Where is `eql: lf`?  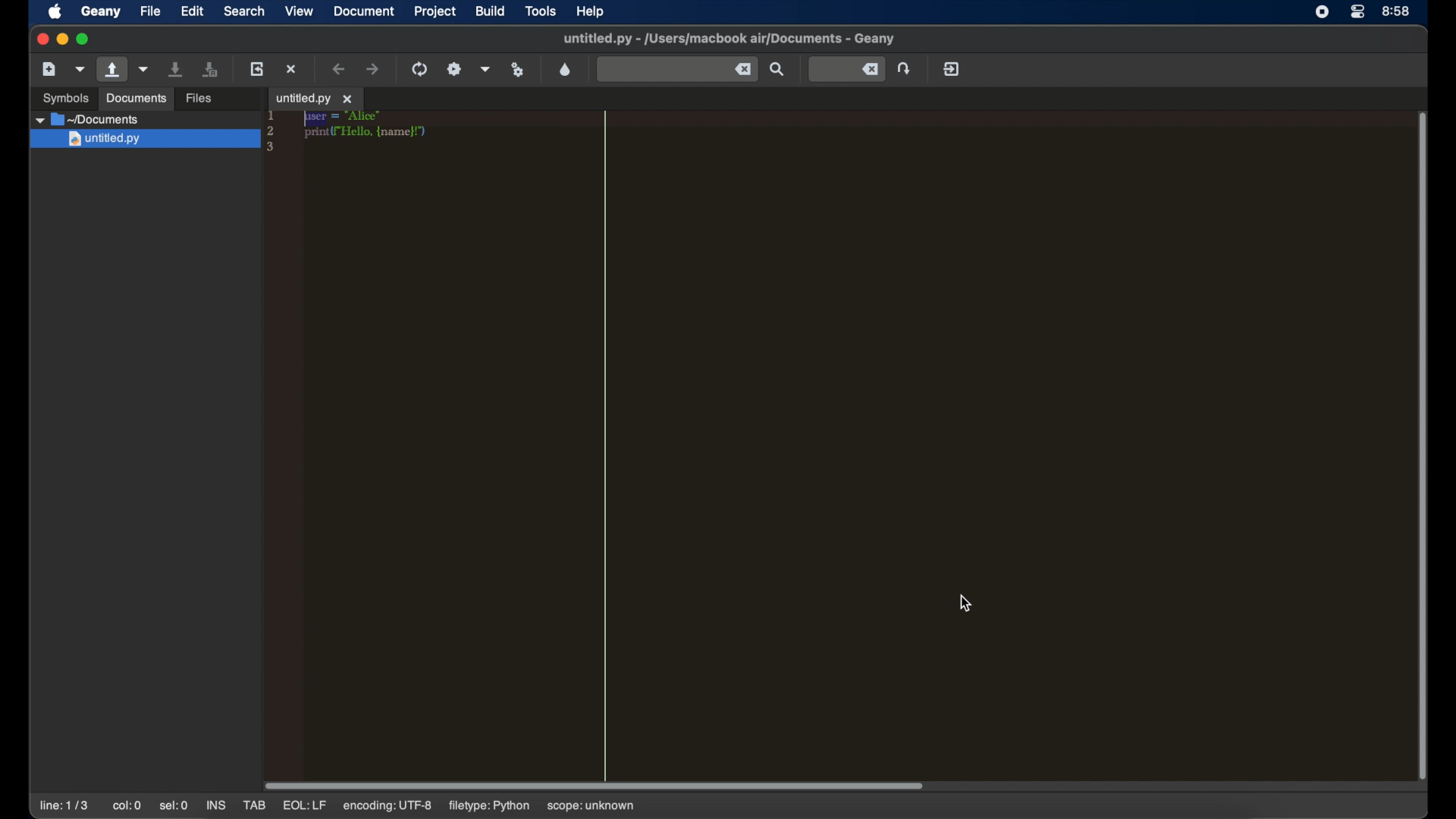 eql: lf is located at coordinates (305, 805).